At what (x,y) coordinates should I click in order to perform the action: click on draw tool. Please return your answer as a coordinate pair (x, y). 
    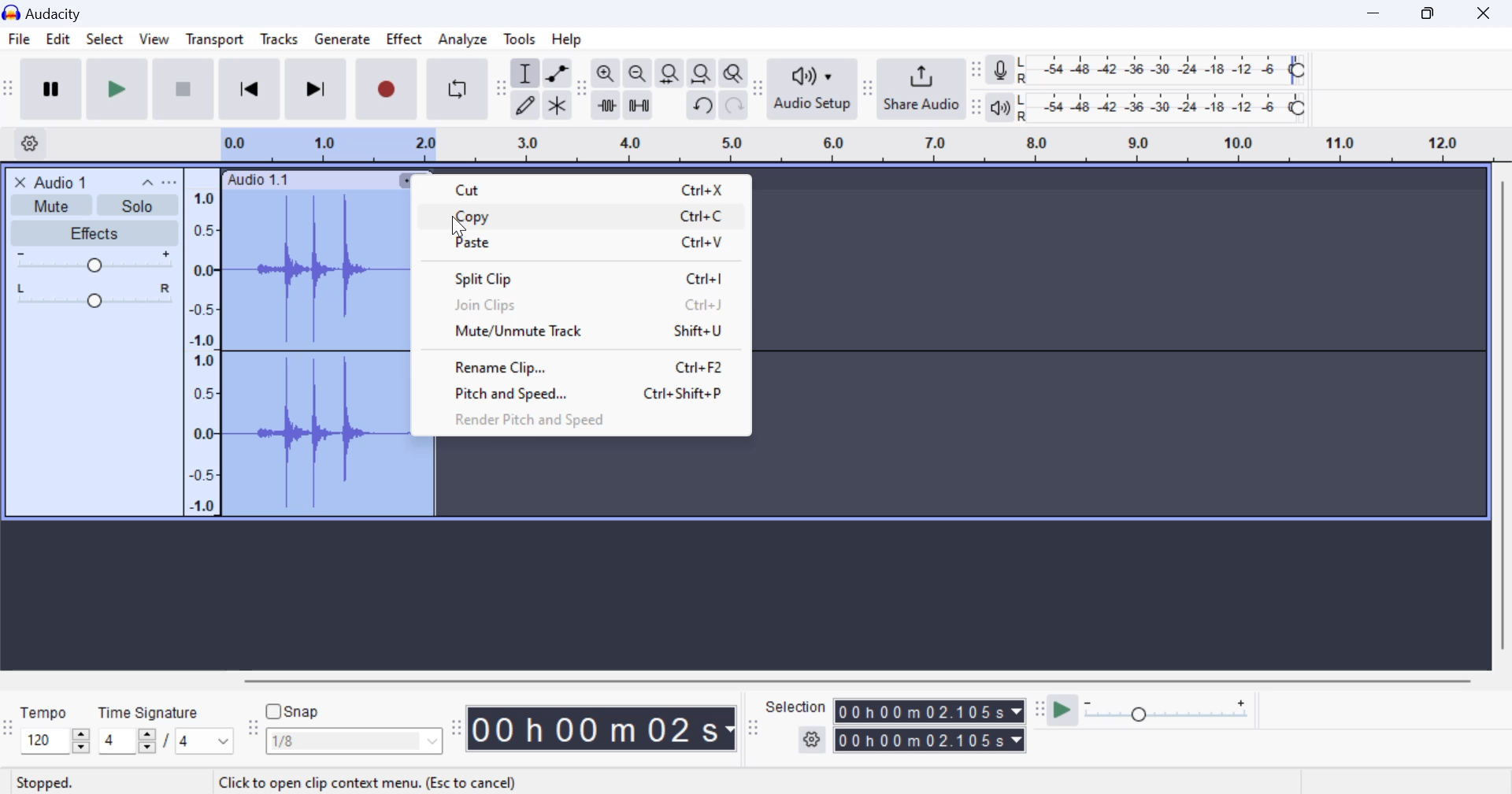
    Looking at the image, I should click on (525, 106).